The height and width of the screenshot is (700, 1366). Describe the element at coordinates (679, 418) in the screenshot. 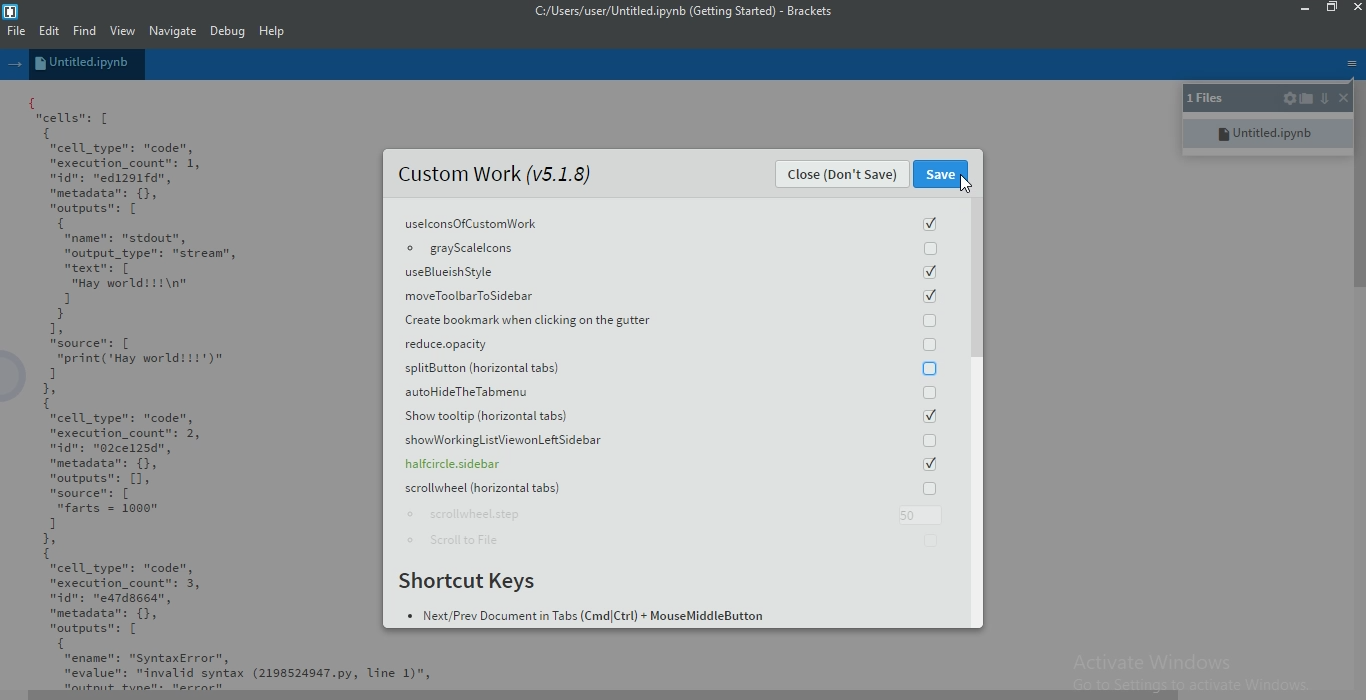

I see `Show tooltip(horizontal tabs)` at that location.